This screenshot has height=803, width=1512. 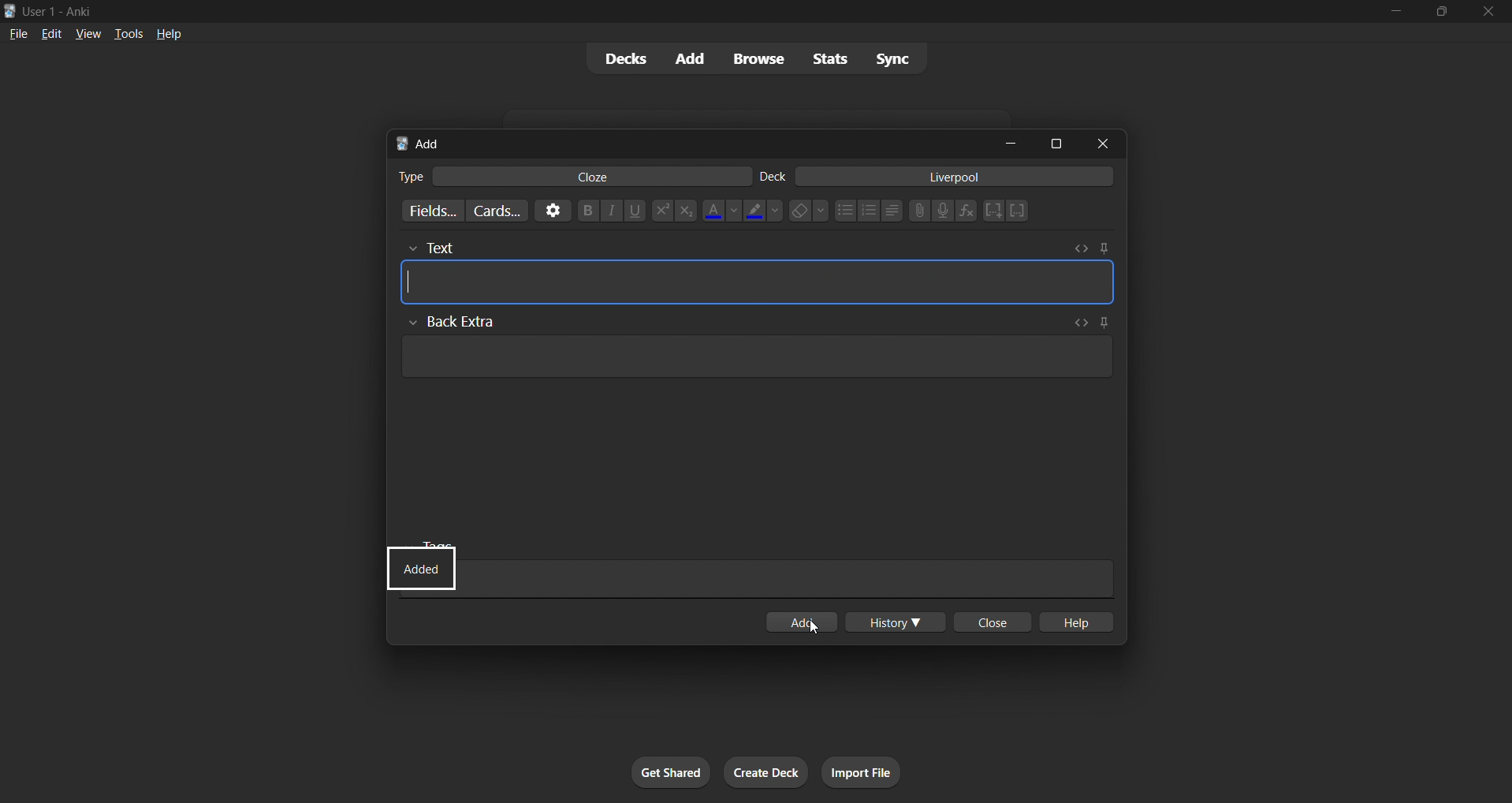 I want to click on superscript, so click(x=659, y=212).